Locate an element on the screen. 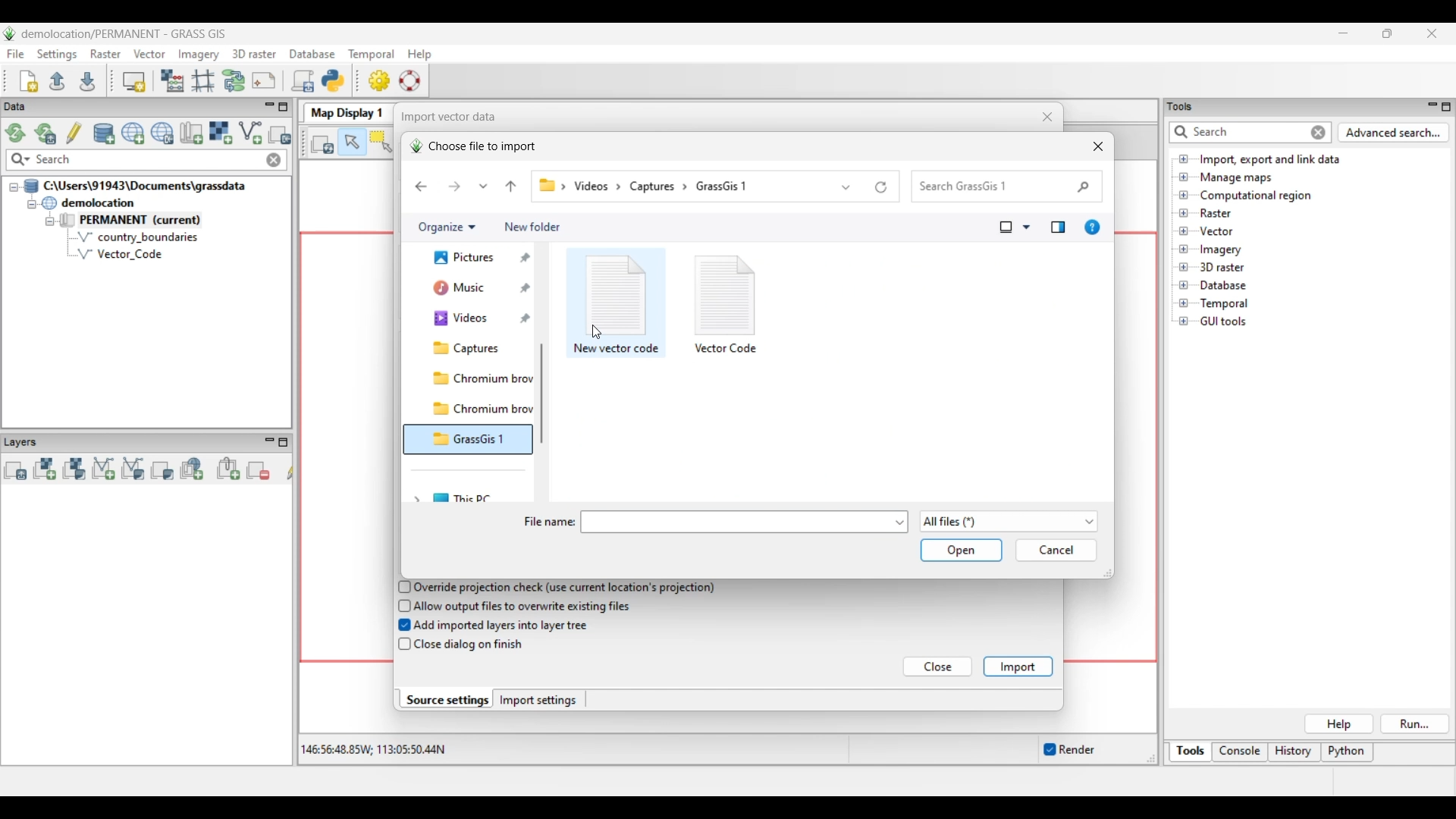 The width and height of the screenshot is (1456, 819). Pathway of current folder changed is located at coordinates (548, 186).